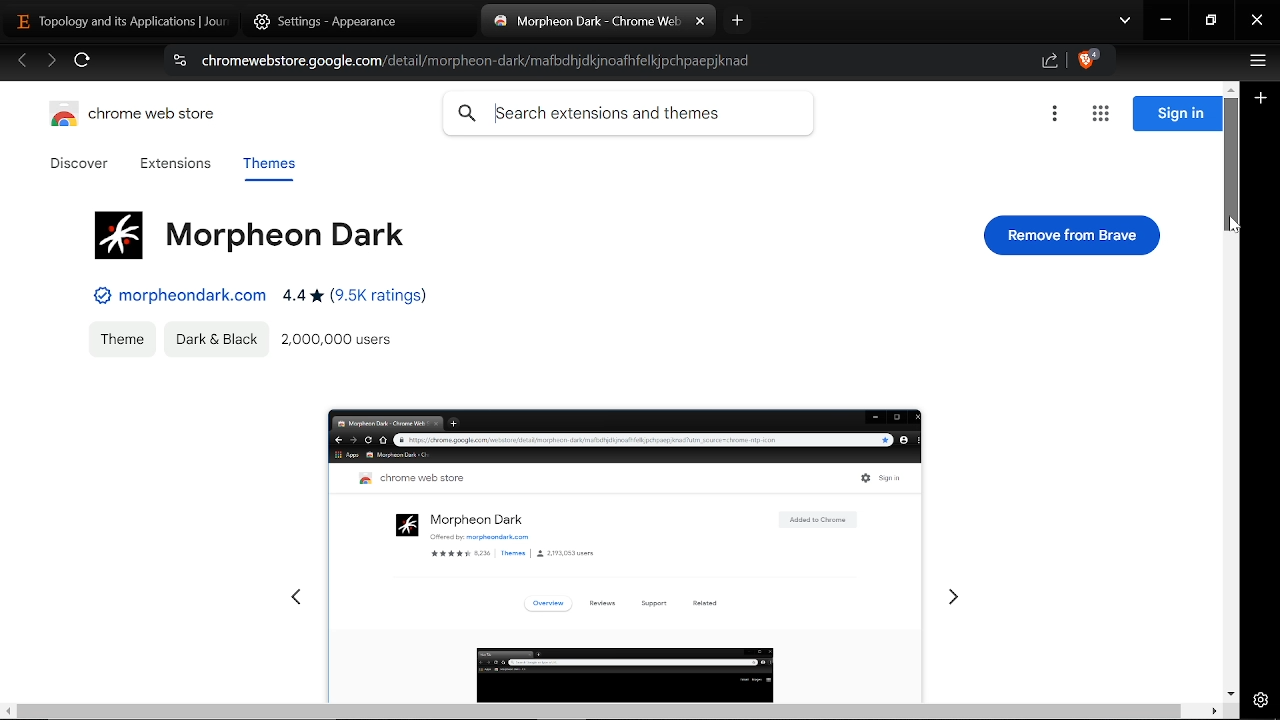 This screenshot has height=720, width=1280. Describe the element at coordinates (178, 63) in the screenshot. I see `Cite information` at that location.